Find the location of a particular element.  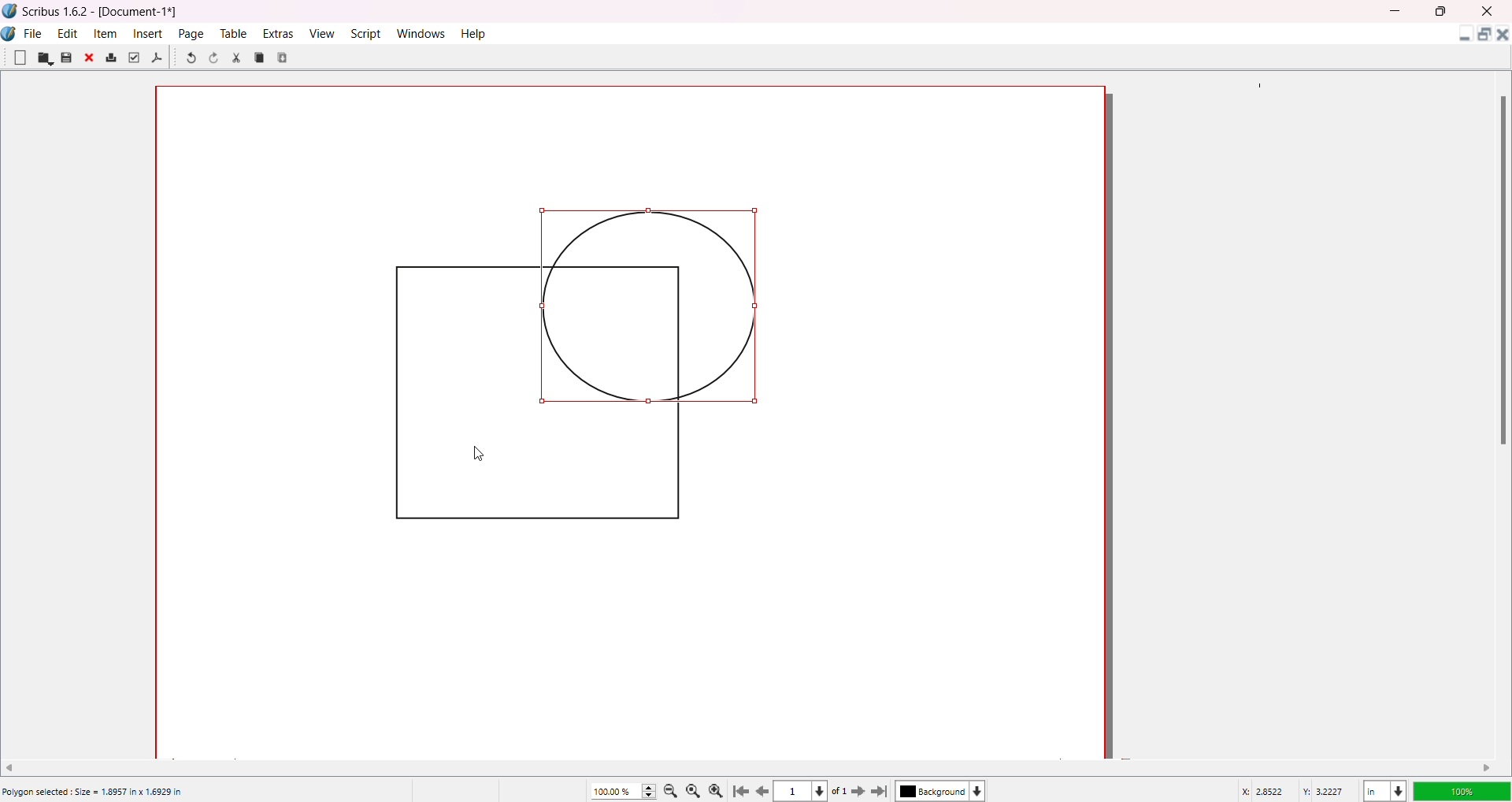

View is located at coordinates (321, 32).